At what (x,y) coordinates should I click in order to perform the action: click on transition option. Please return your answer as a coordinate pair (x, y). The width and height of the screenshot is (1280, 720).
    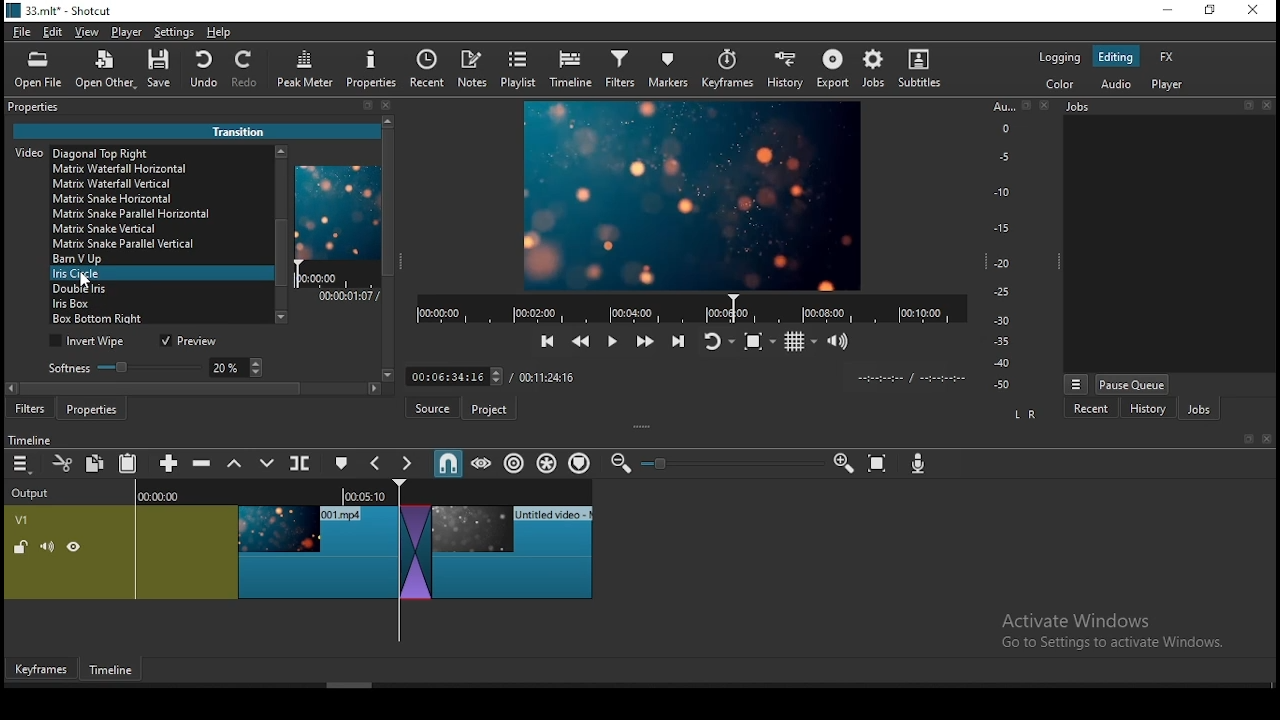
    Looking at the image, I should click on (158, 170).